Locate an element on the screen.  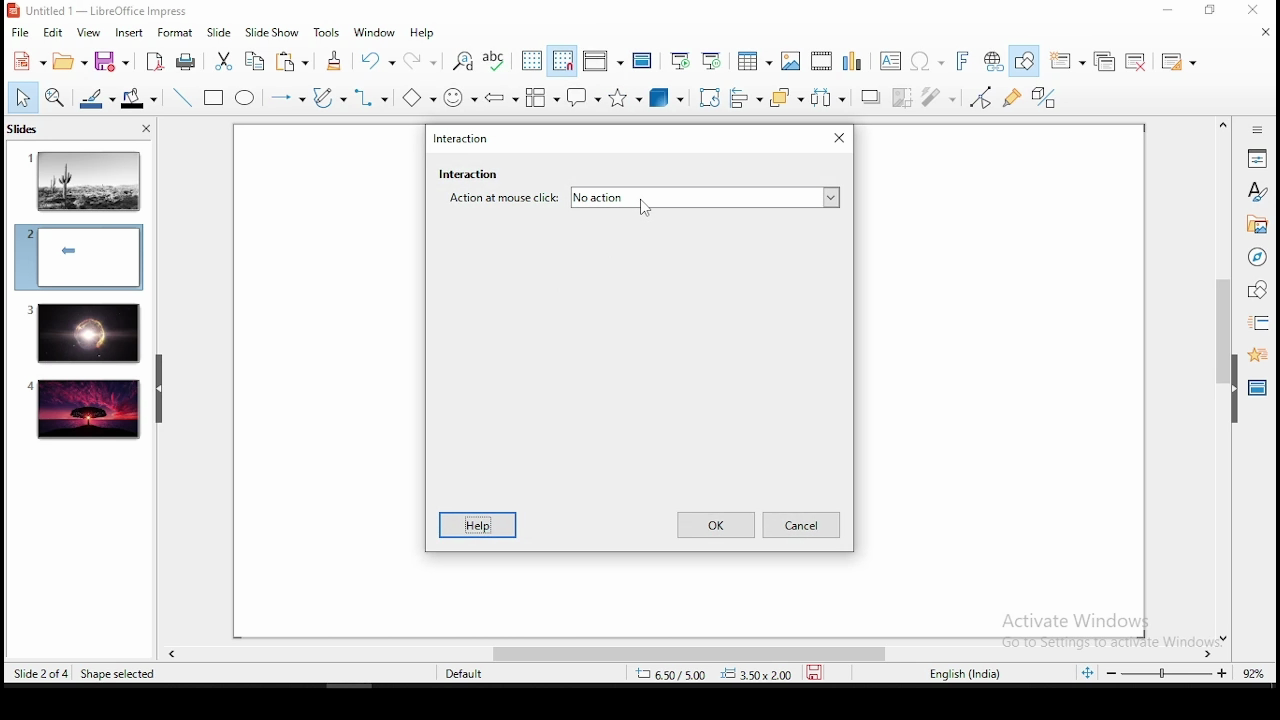
distribute is located at coordinates (830, 98).